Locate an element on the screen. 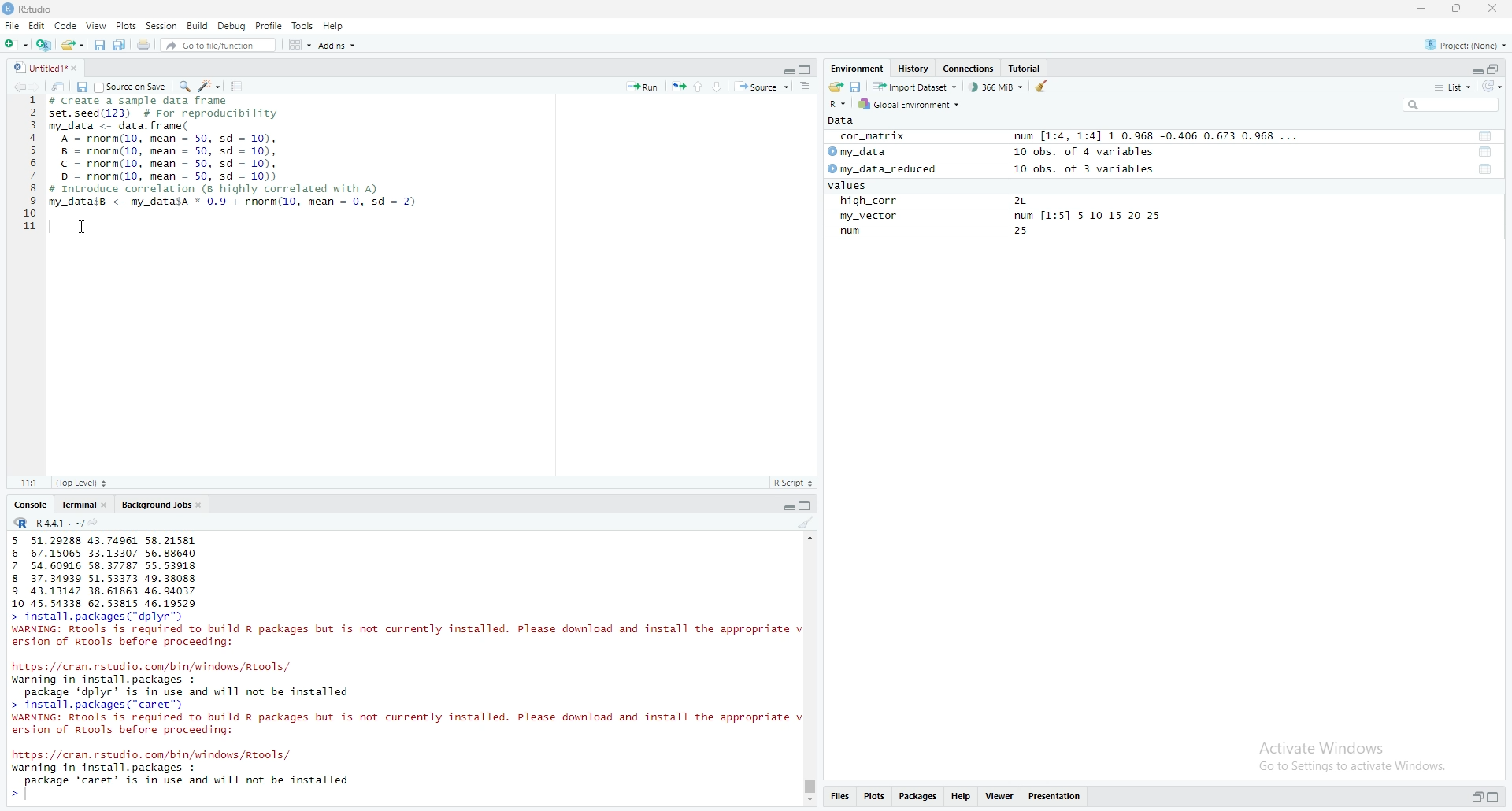 The height and width of the screenshot is (811, 1512). scrollbar is located at coordinates (812, 669).